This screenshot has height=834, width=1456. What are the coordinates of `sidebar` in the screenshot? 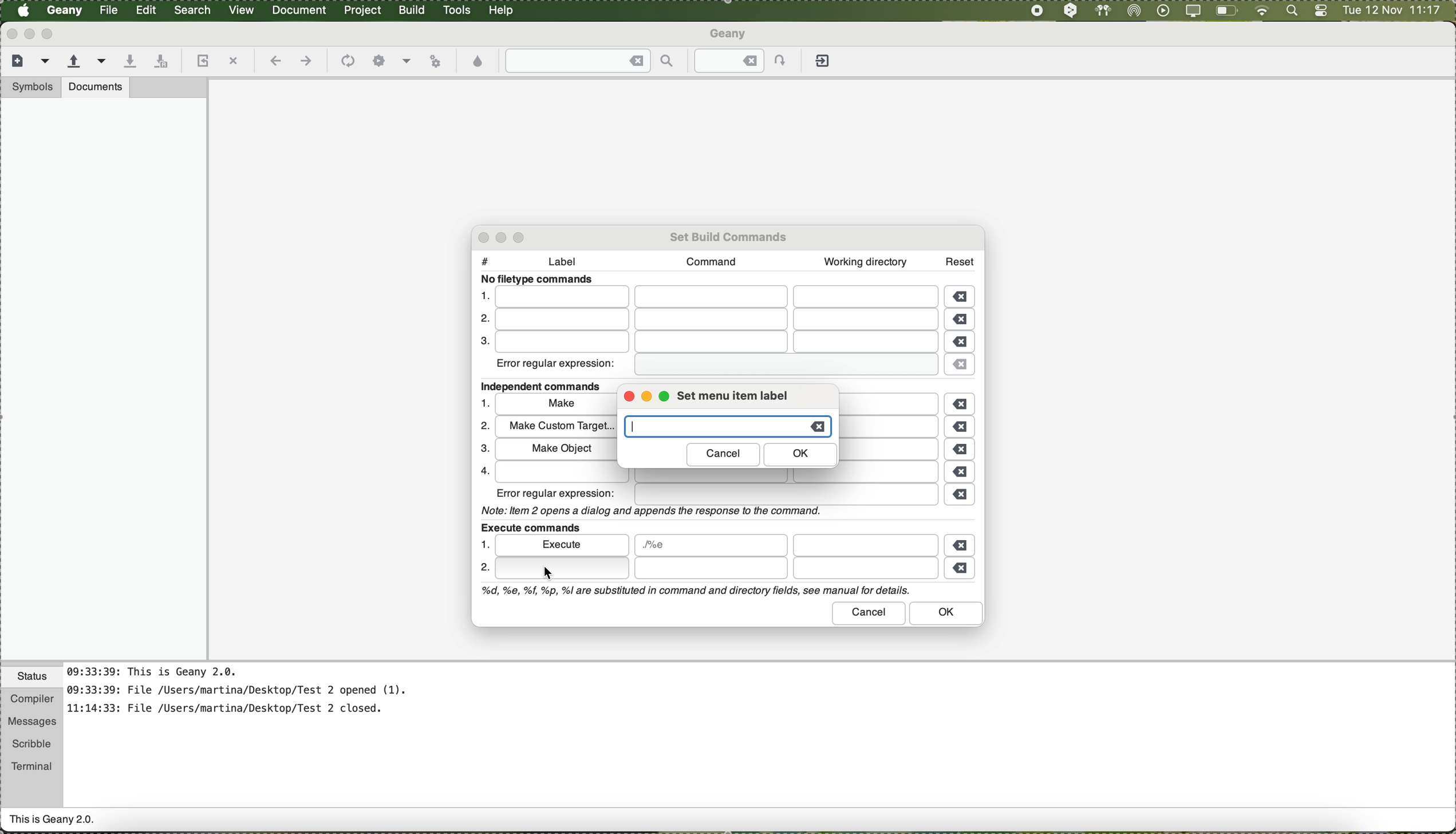 It's located at (104, 379).